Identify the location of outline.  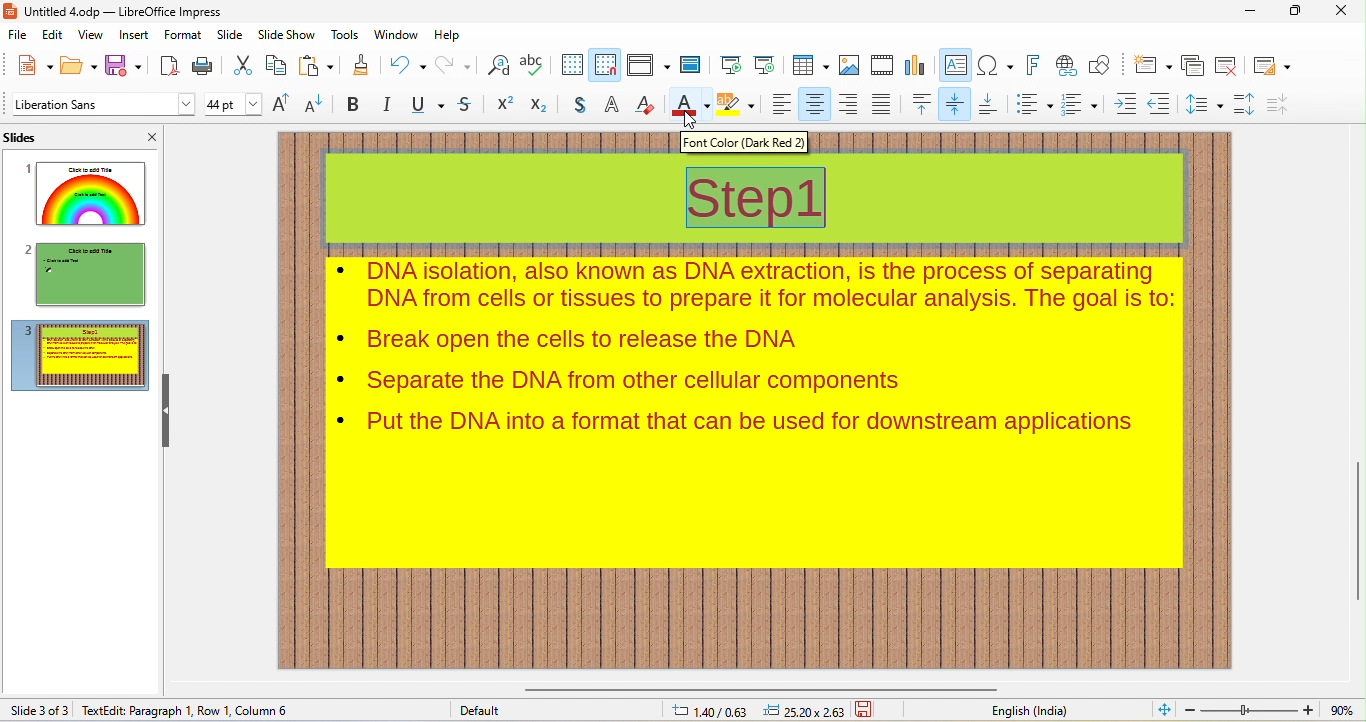
(613, 105).